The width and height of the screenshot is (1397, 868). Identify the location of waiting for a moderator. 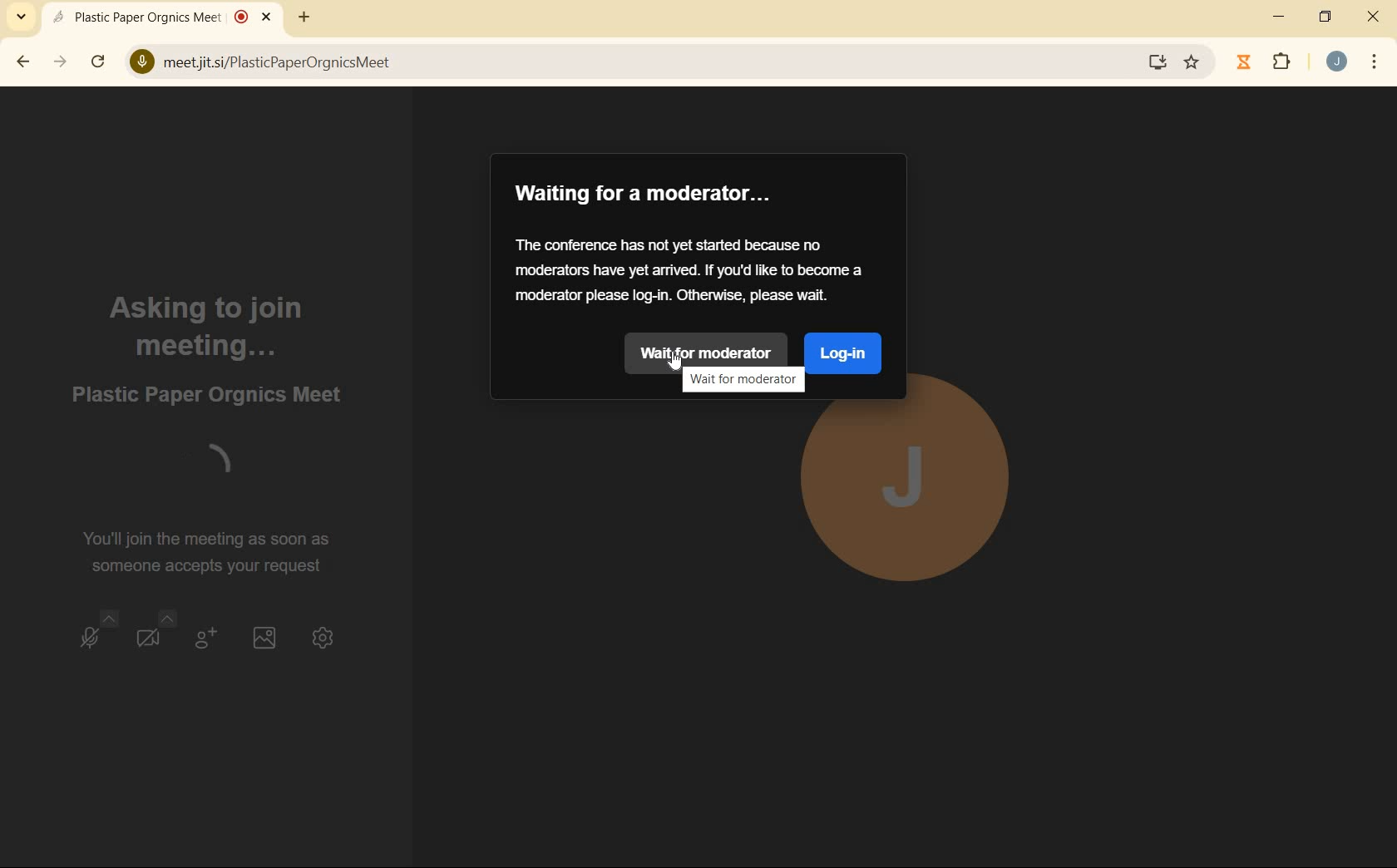
(647, 194).